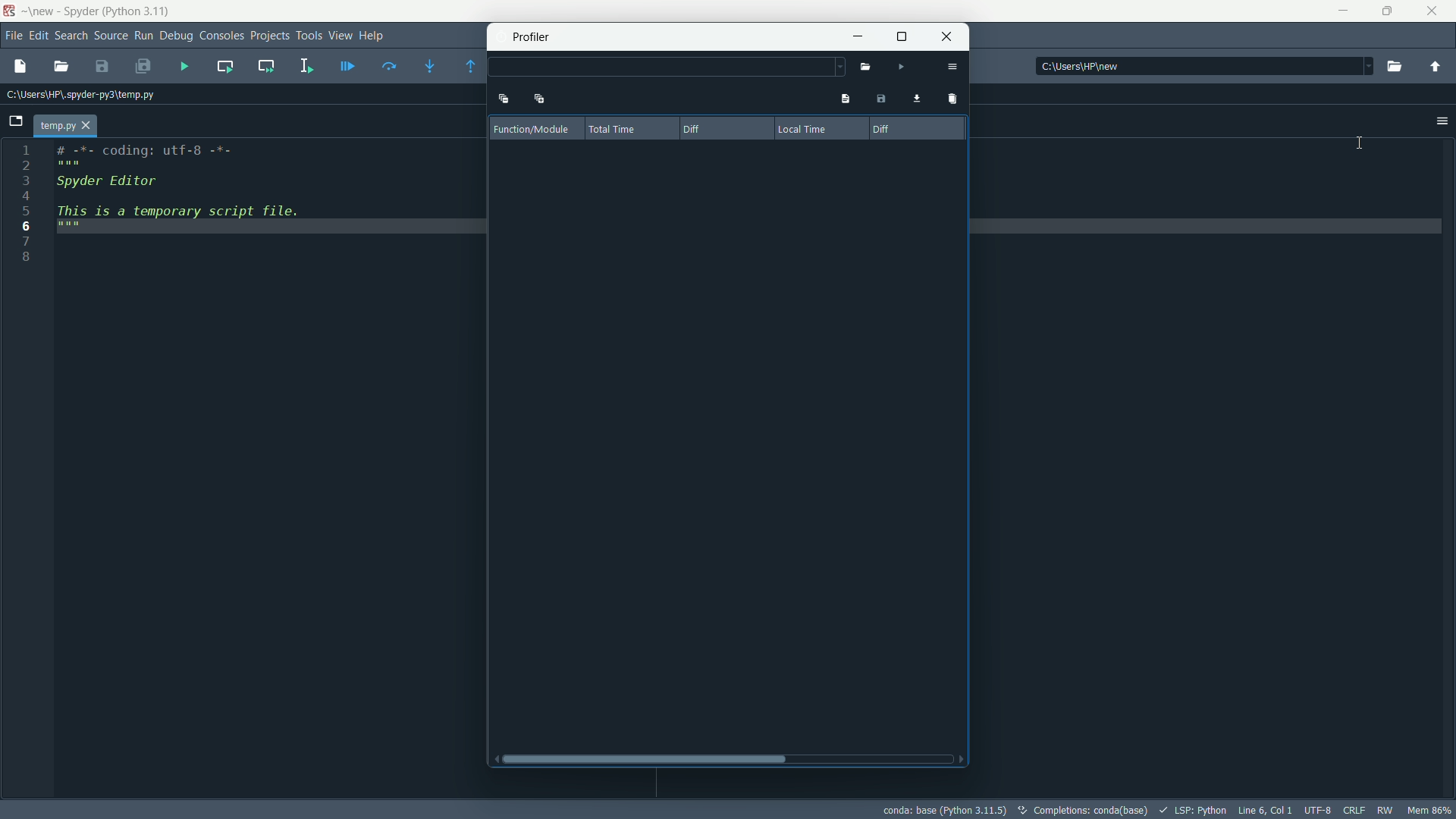 The height and width of the screenshot is (819, 1456). What do you see at coordinates (691, 129) in the screenshot?
I see `diff` at bounding box center [691, 129].